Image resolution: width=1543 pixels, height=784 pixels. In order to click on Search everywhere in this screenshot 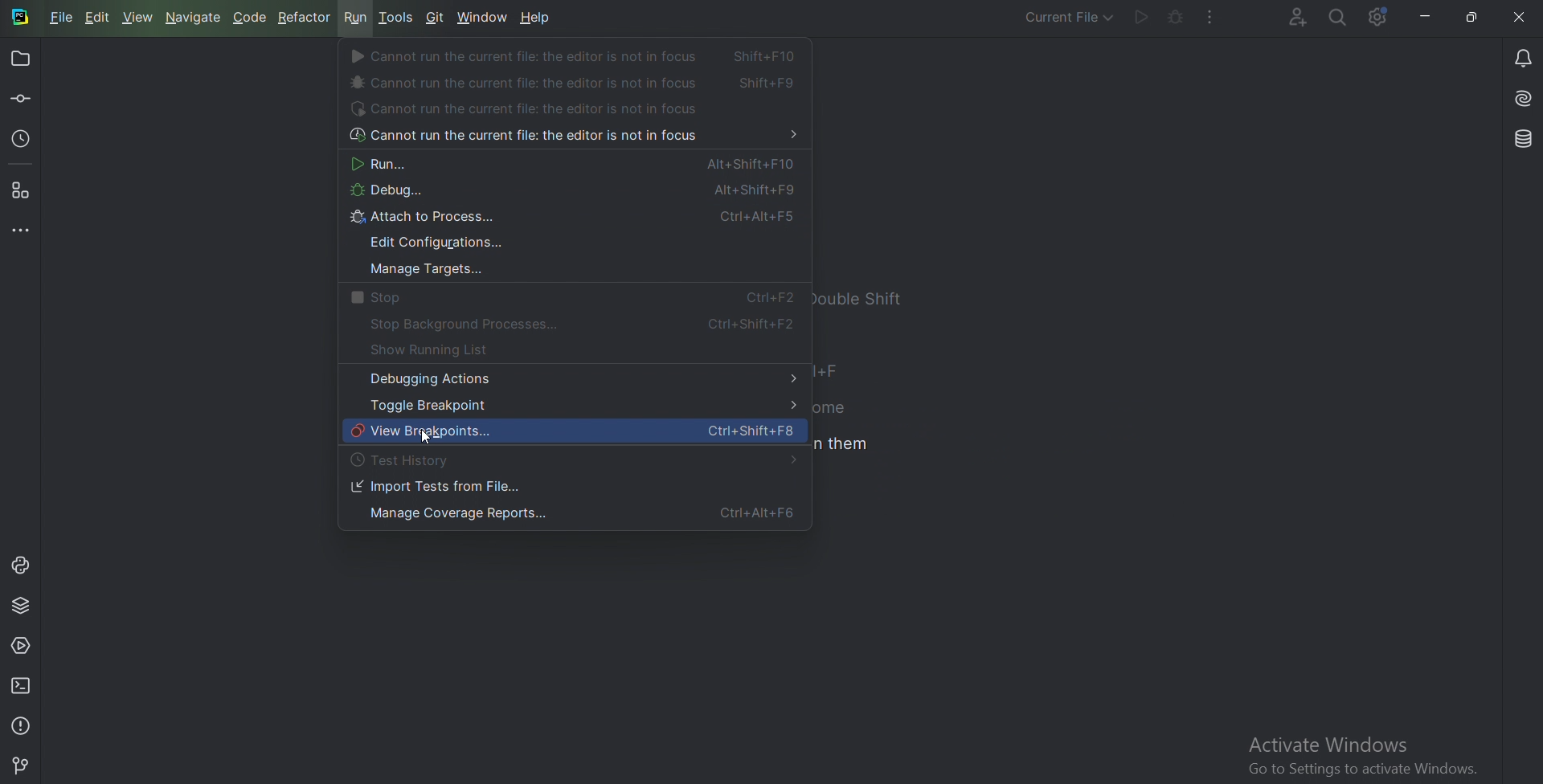, I will do `click(1339, 18)`.